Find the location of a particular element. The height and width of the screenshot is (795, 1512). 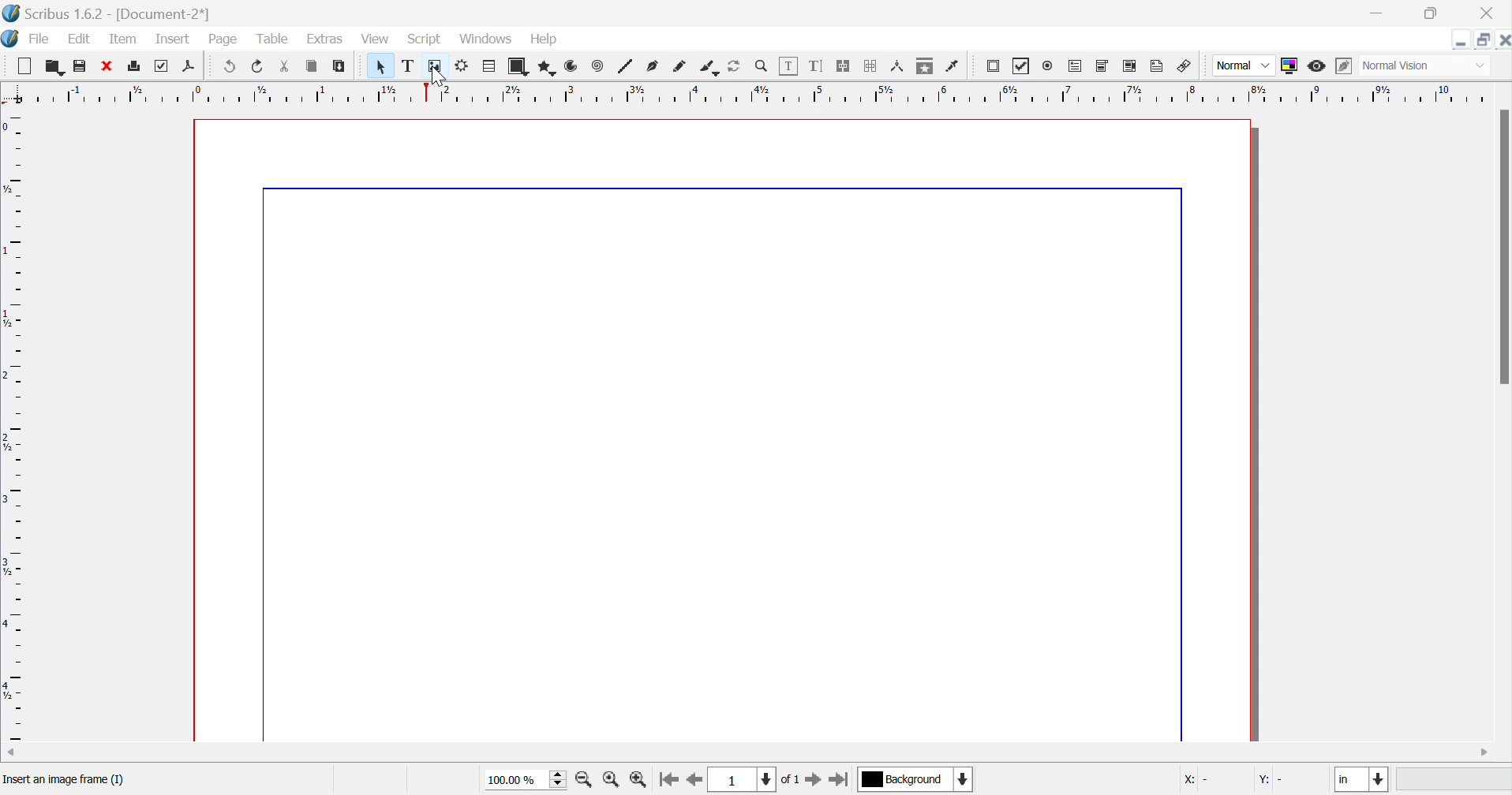

zoom in/out is located at coordinates (762, 65).